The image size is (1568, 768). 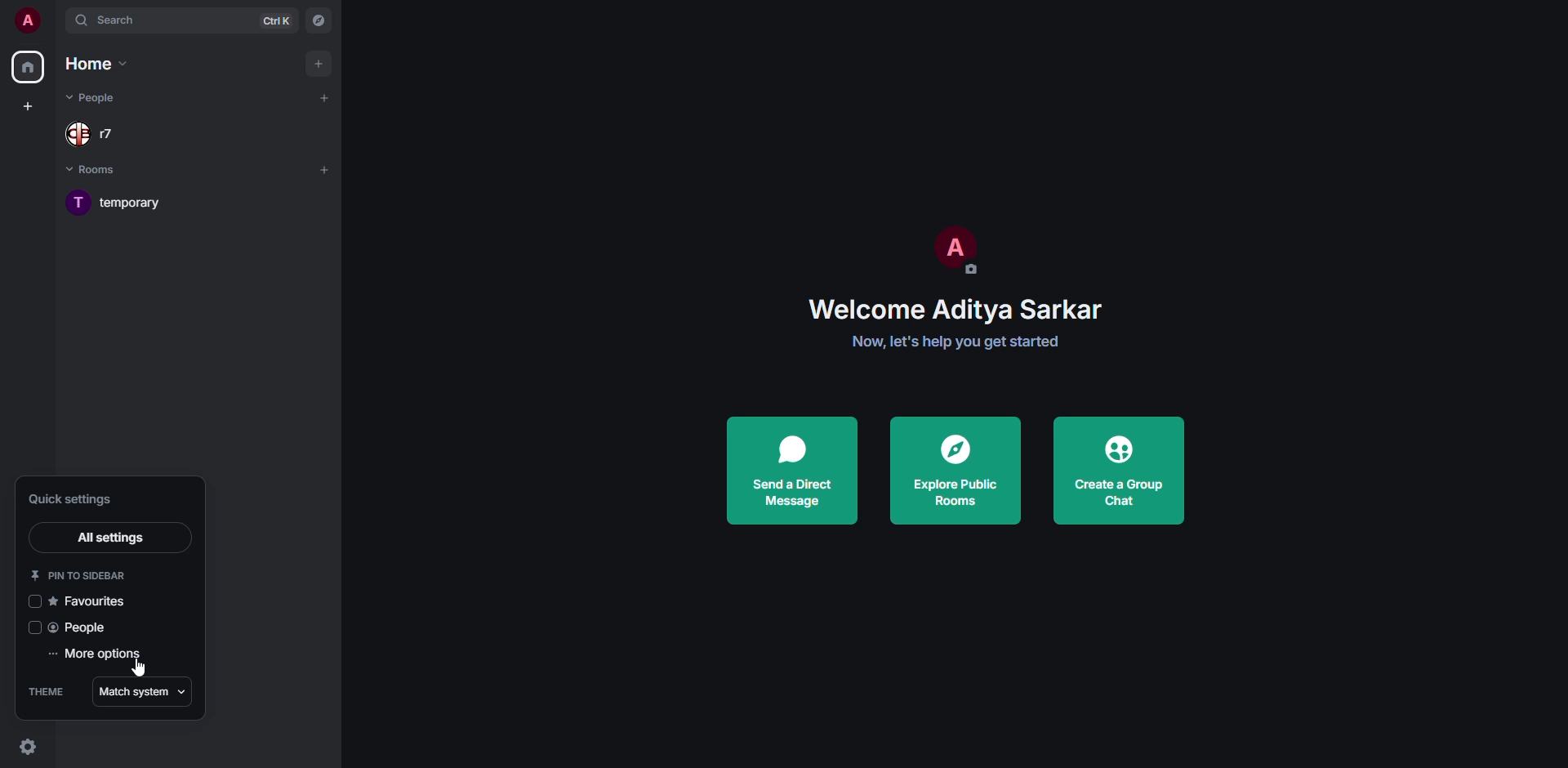 What do you see at coordinates (957, 342) in the screenshot?
I see `get started` at bounding box center [957, 342].